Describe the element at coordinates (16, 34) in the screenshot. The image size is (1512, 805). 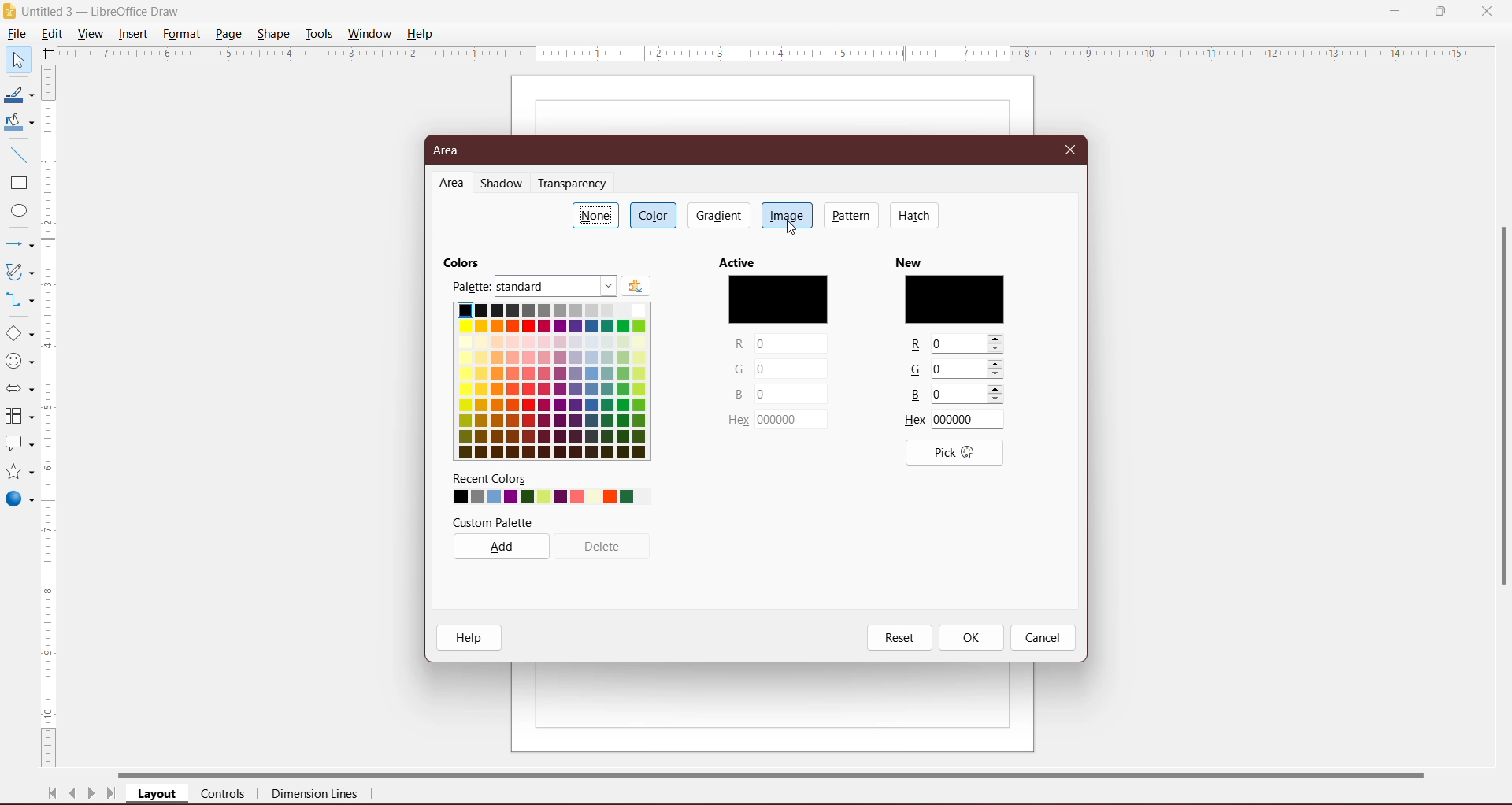
I see `File` at that location.